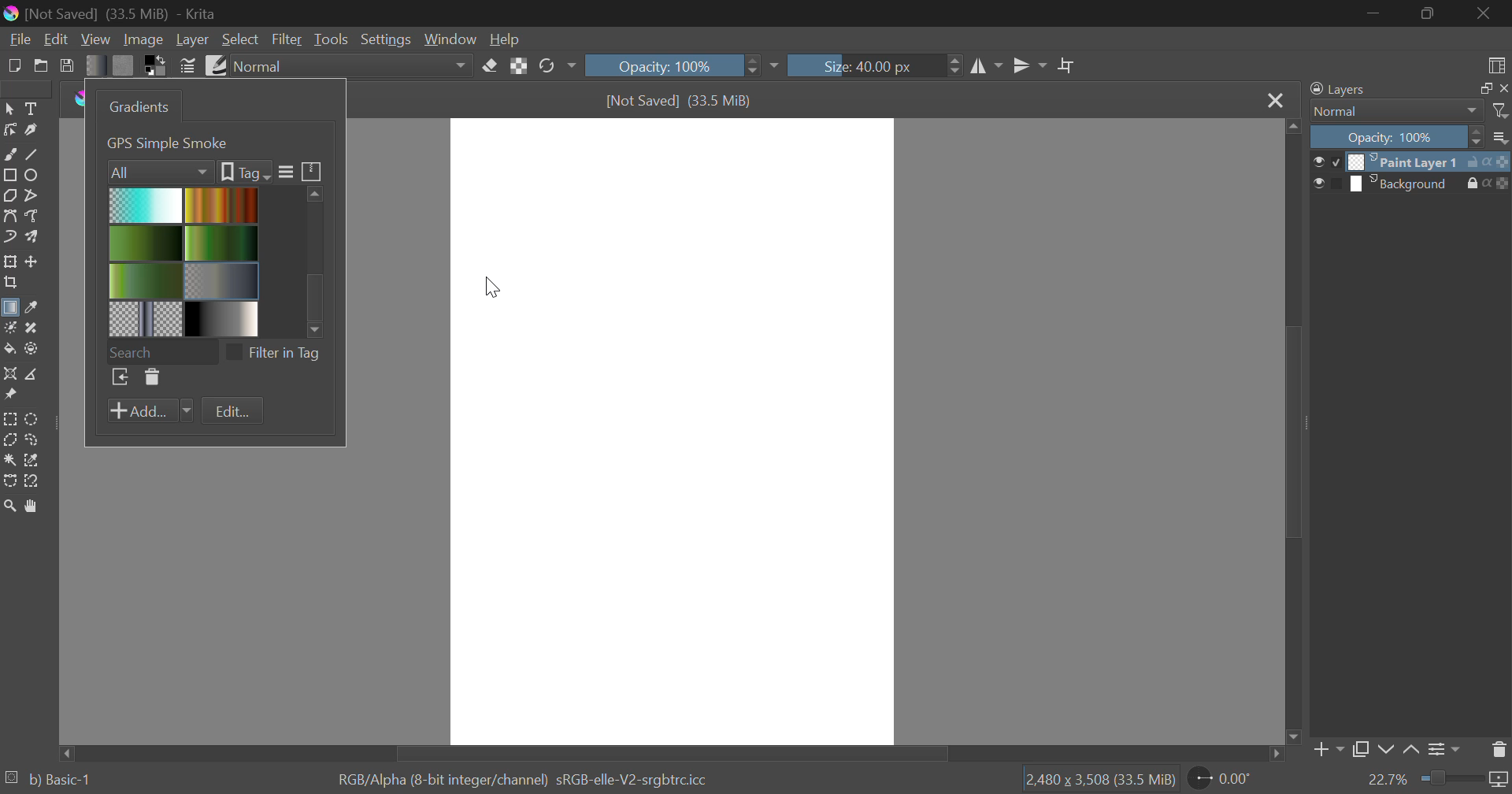 This screenshot has height=794, width=1512. What do you see at coordinates (491, 64) in the screenshot?
I see `Eraser` at bounding box center [491, 64].